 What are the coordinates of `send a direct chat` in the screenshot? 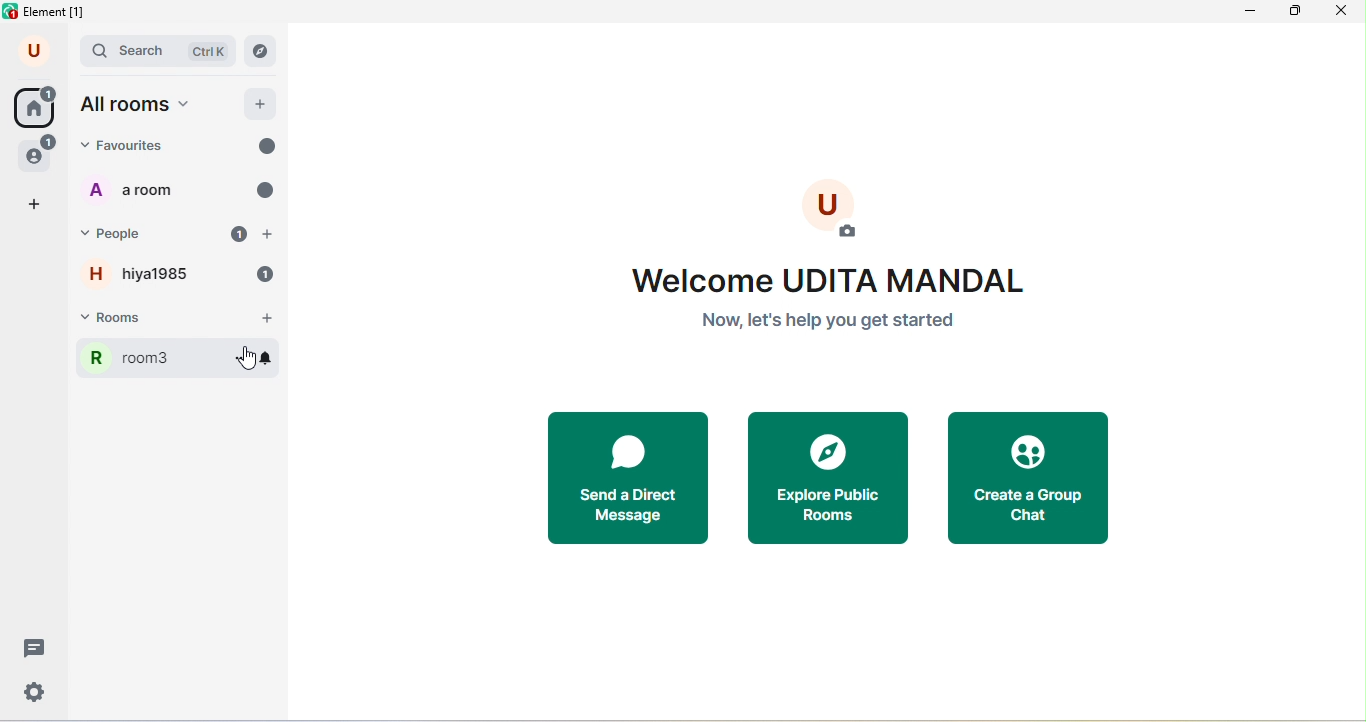 It's located at (635, 480).